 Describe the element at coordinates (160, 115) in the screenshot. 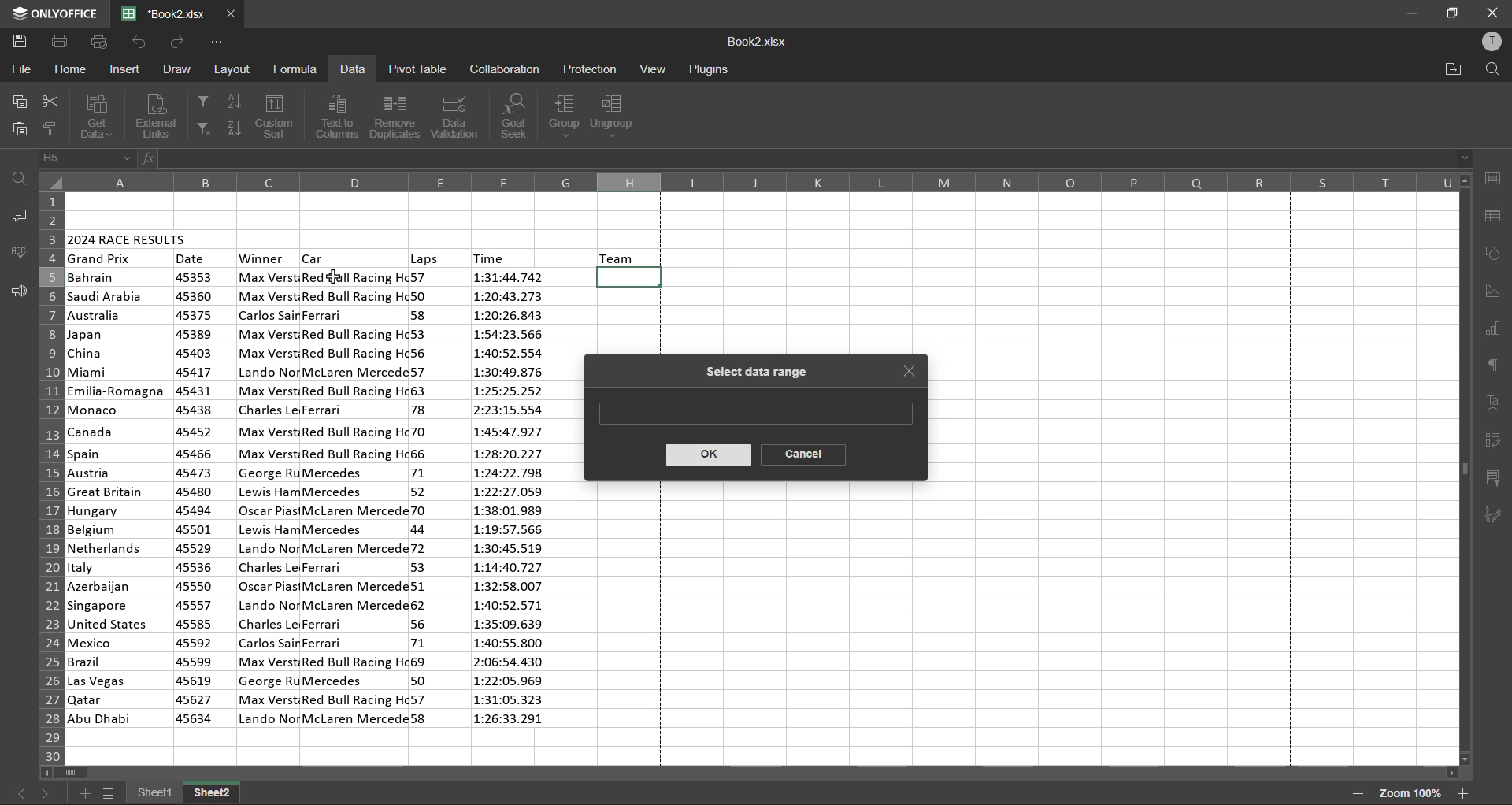

I see `external links` at that location.